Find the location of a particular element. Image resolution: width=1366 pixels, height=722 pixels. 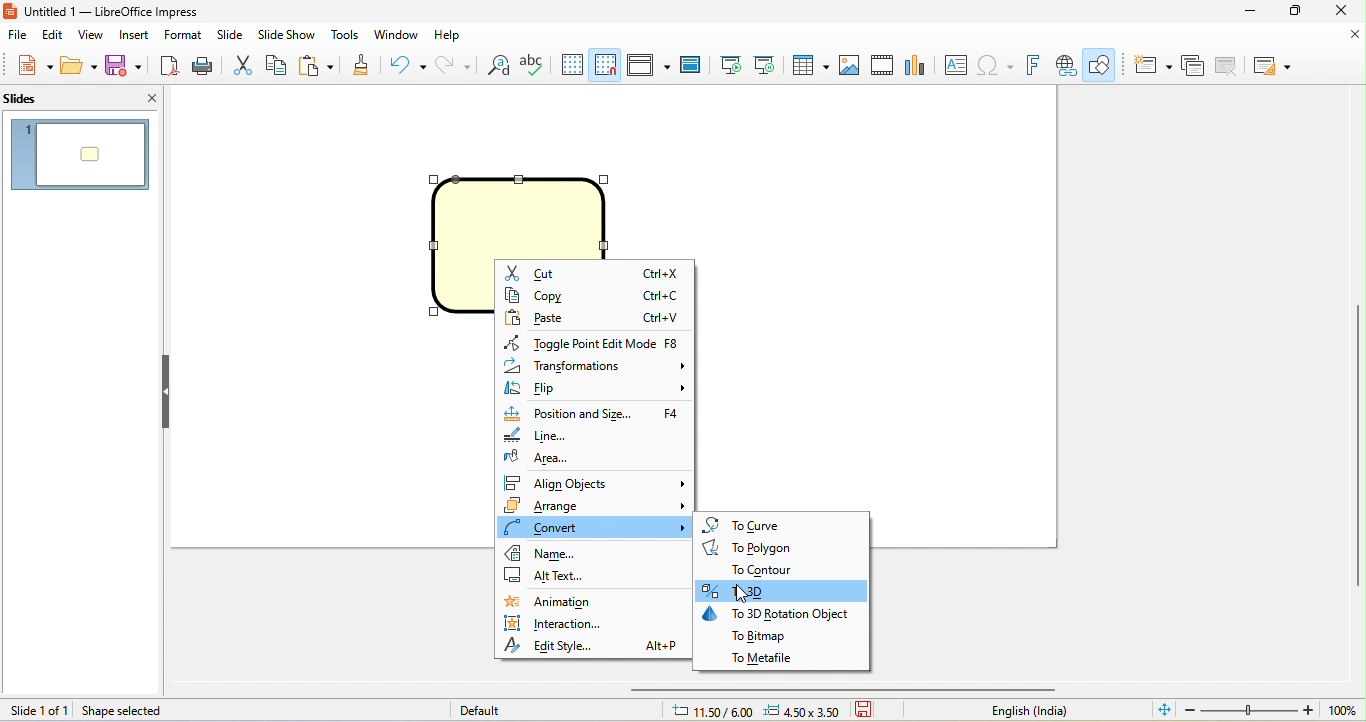

to curve is located at coordinates (750, 525).